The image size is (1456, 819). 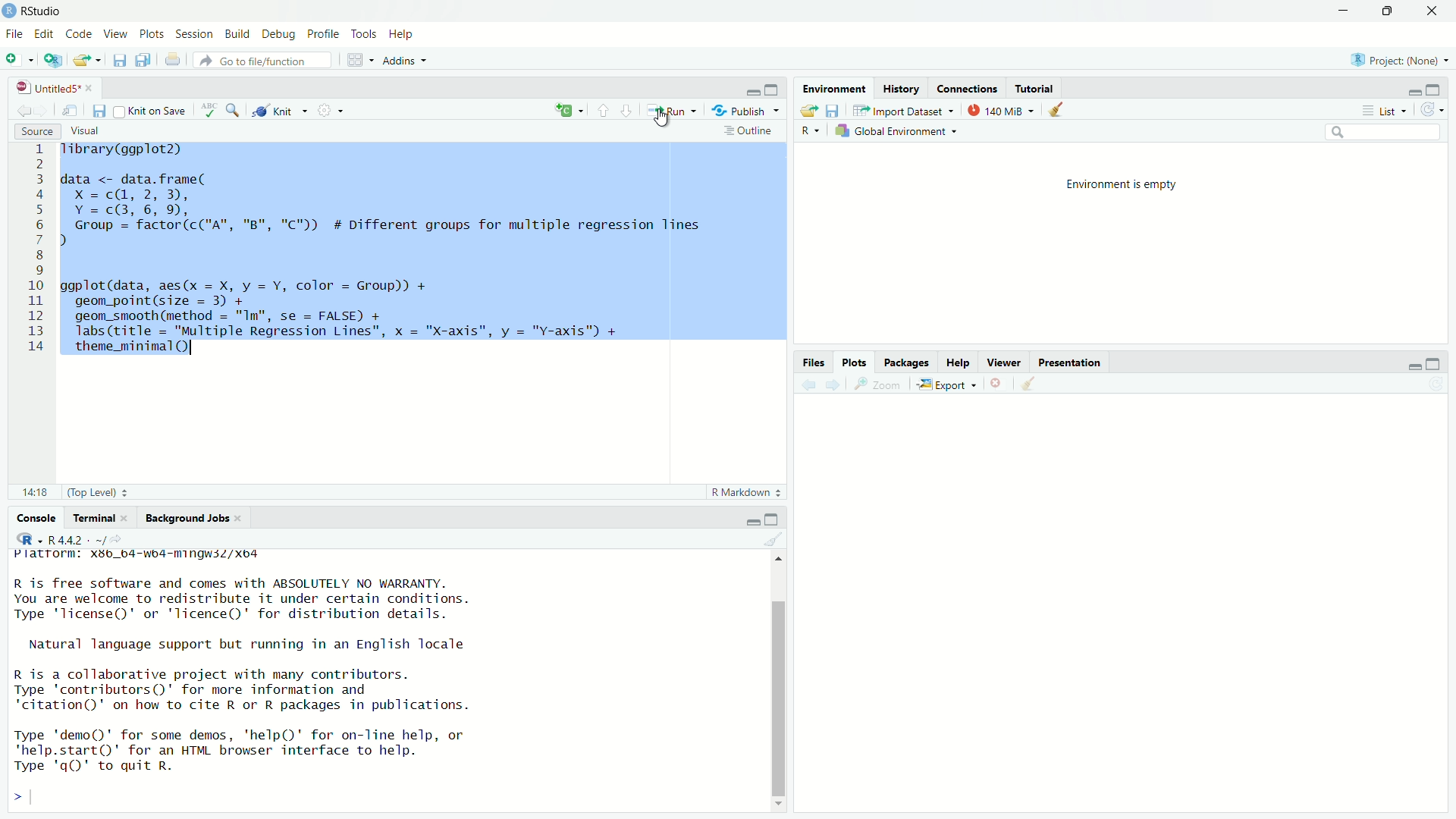 I want to click on print, so click(x=174, y=62).